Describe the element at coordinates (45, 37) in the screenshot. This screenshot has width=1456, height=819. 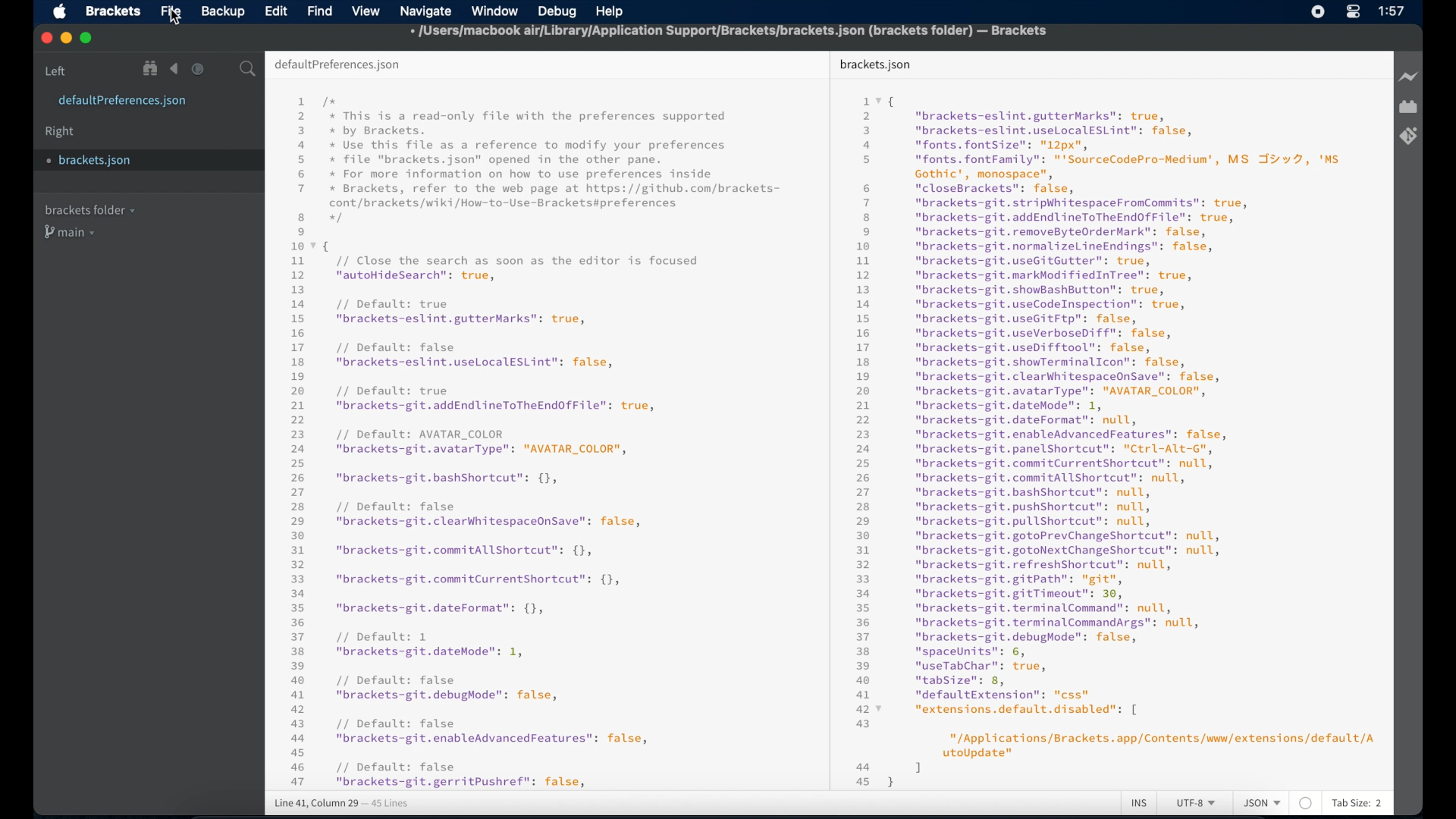
I see `close` at that location.